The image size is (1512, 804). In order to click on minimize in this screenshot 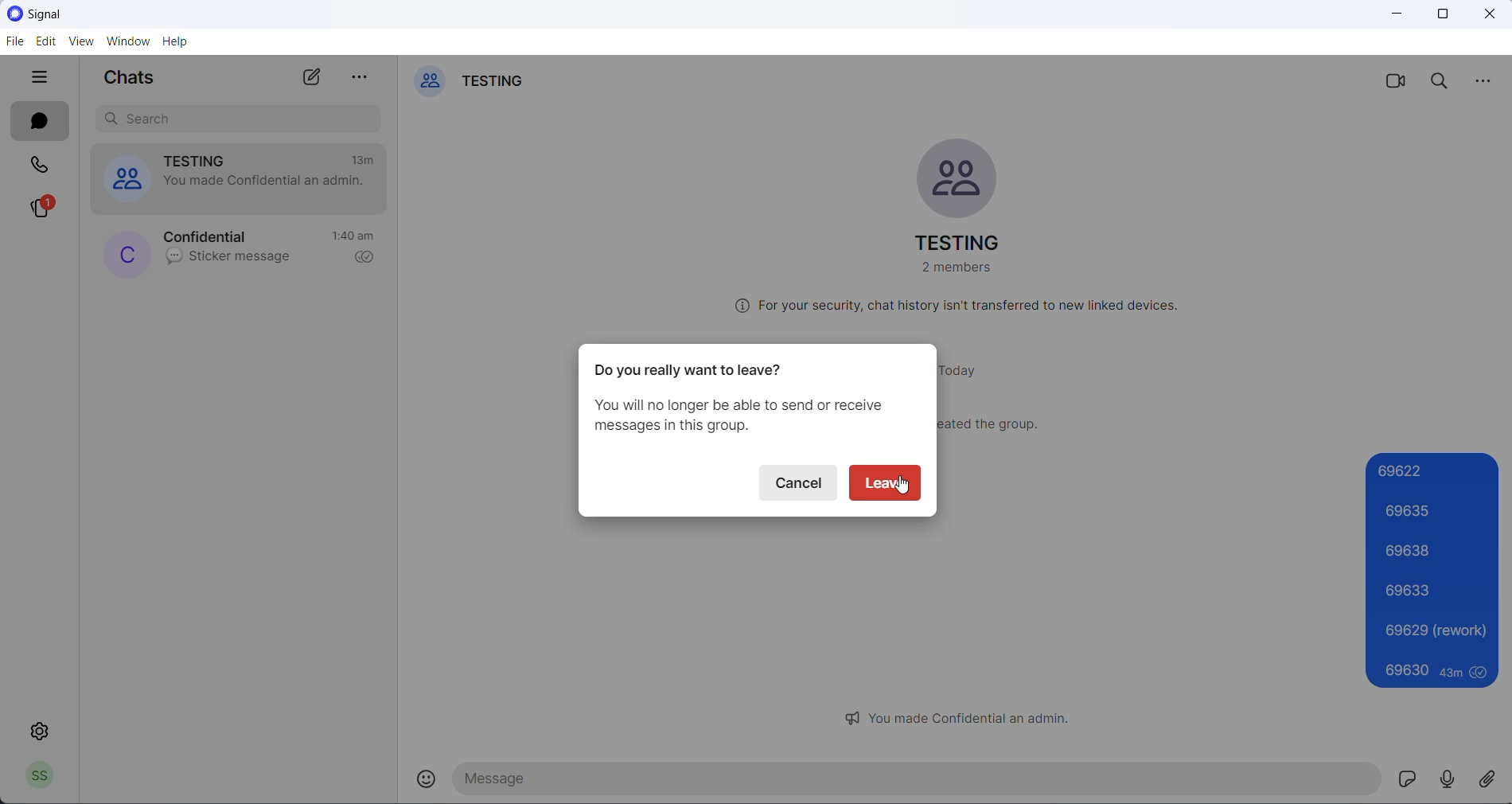, I will do `click(1395, 16)`.